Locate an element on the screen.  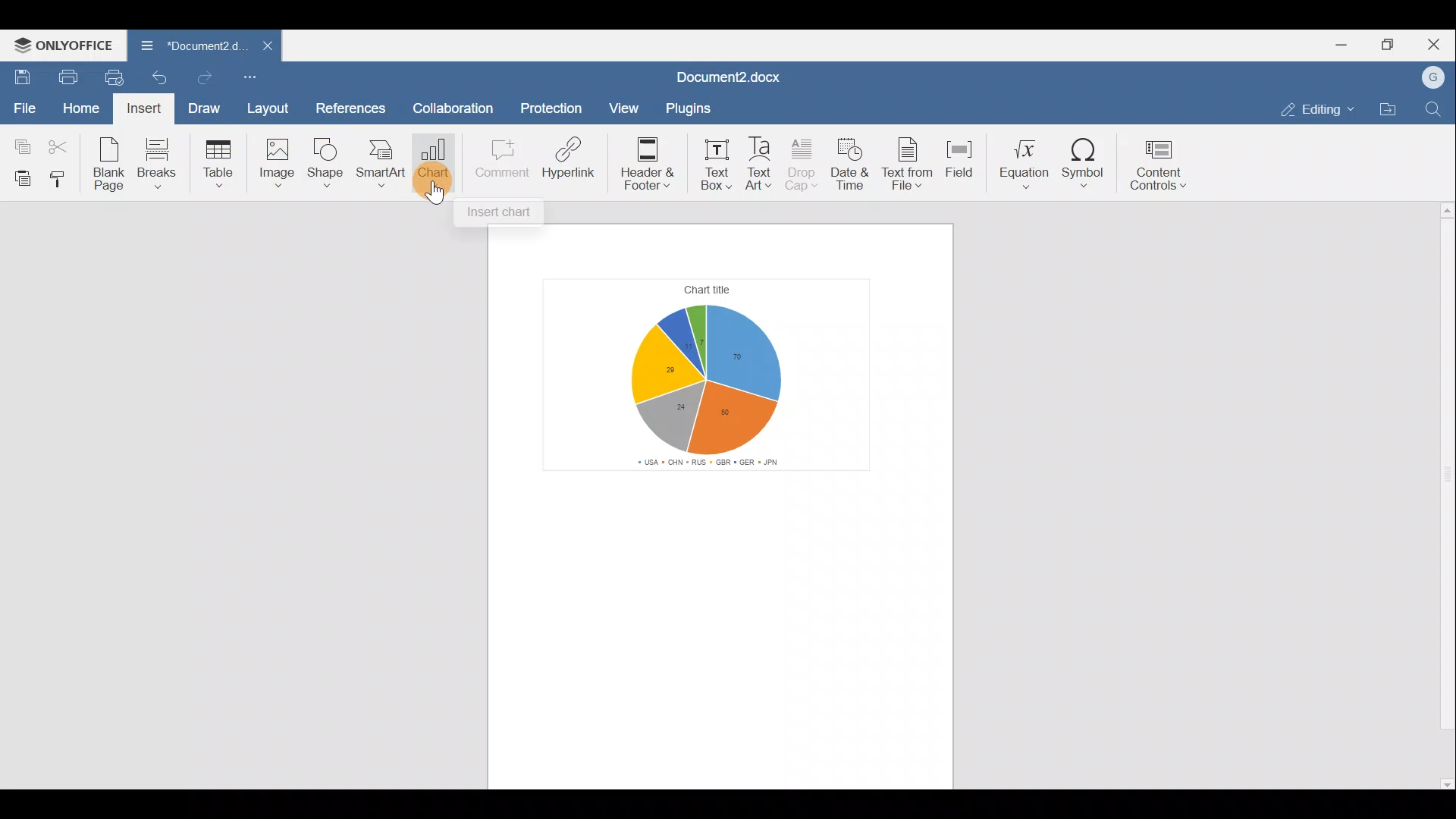
ONLYOFFICE Menu is located at coordinates (64, 45).